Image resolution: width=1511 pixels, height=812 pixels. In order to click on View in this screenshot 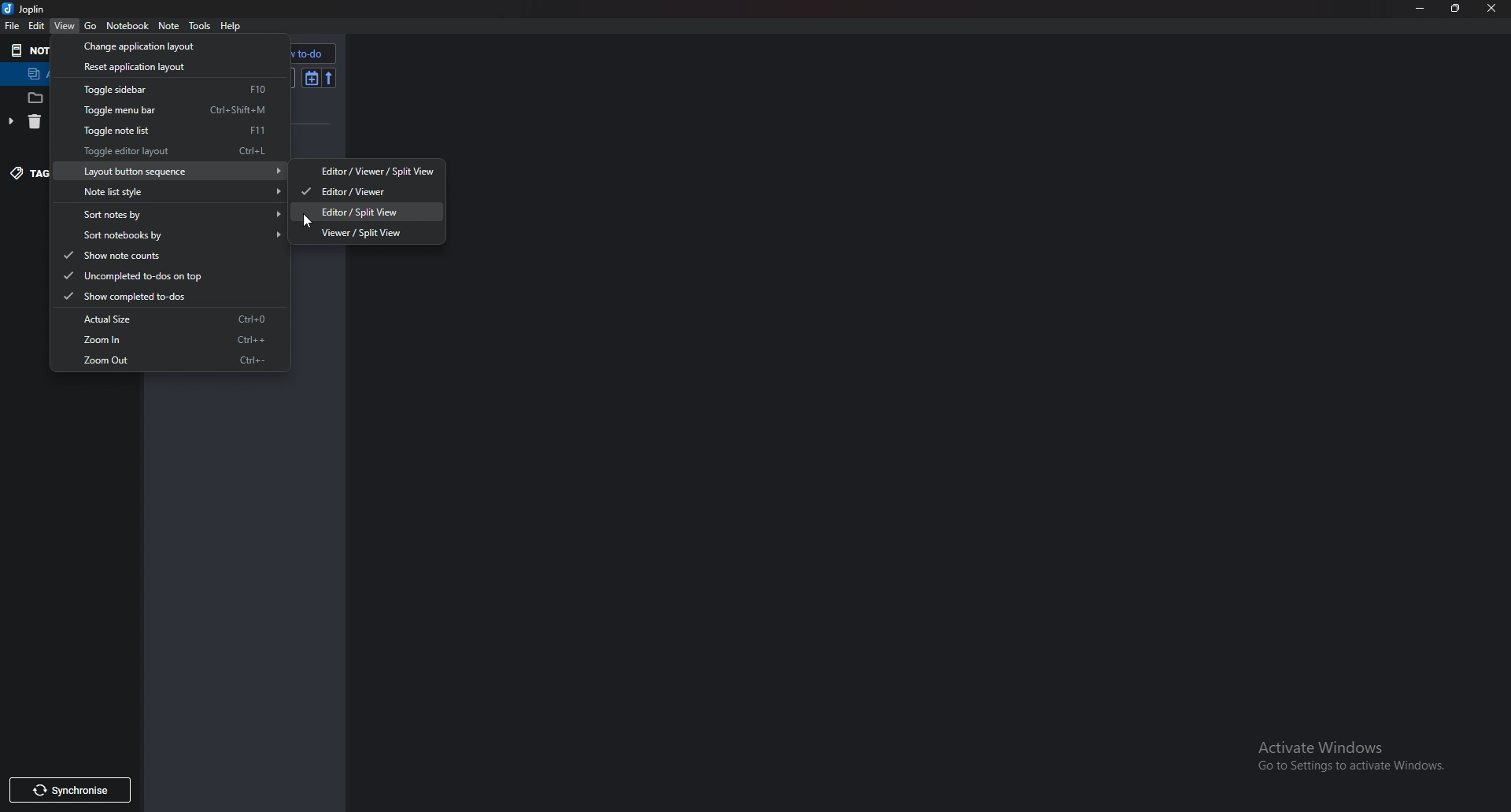, I will do `click(65, 26)`.